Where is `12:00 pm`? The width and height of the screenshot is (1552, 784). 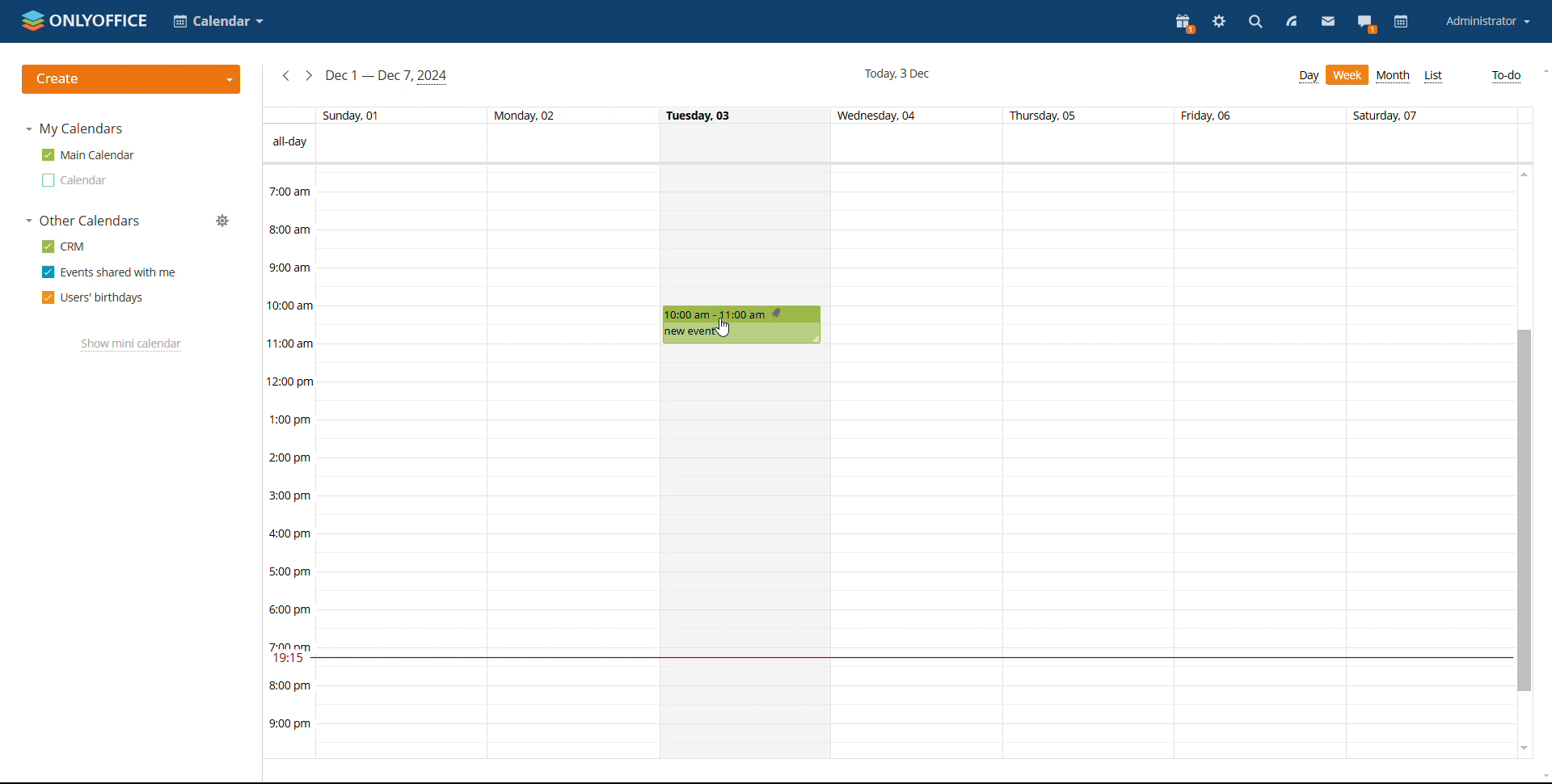 12:00 pm is located at coordinates (293, 381).